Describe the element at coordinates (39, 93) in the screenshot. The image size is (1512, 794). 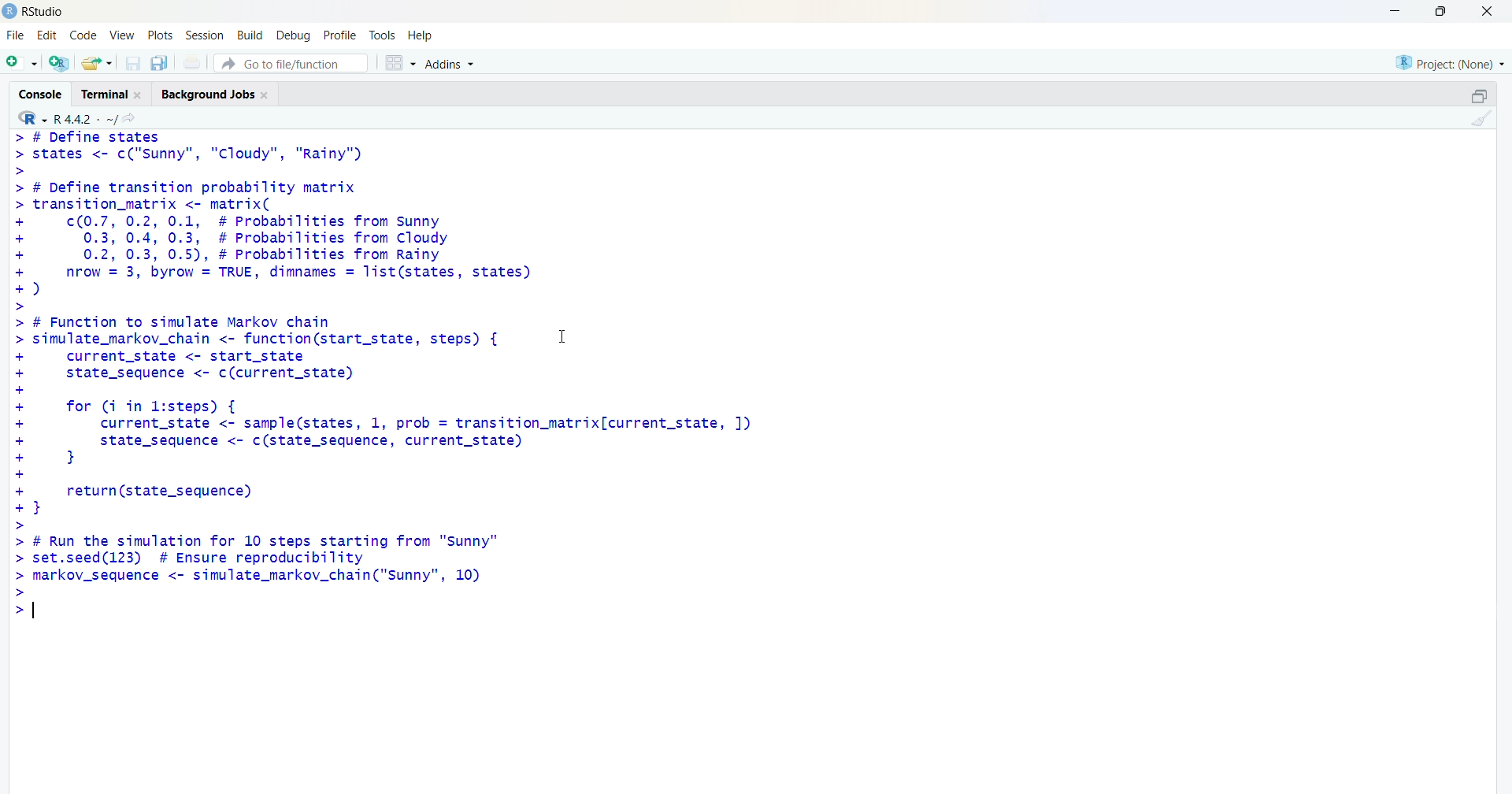
I see `console` at that location.